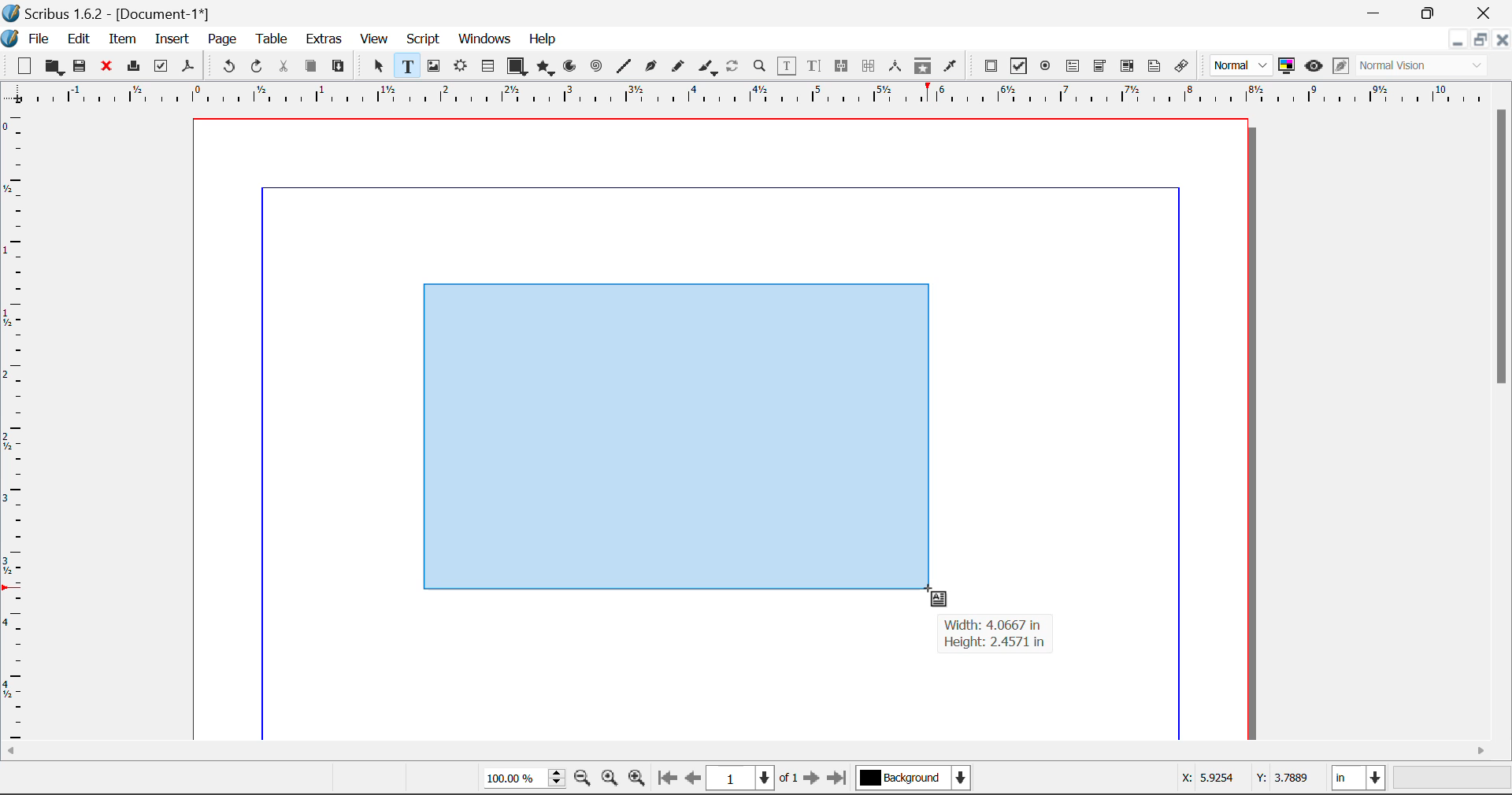 The height and width of the screenshot is (795, 1512). What do you see at coordinates (951, 65) in the screenshot?
I see `Eyedropper` at bounding box center [951, 65].